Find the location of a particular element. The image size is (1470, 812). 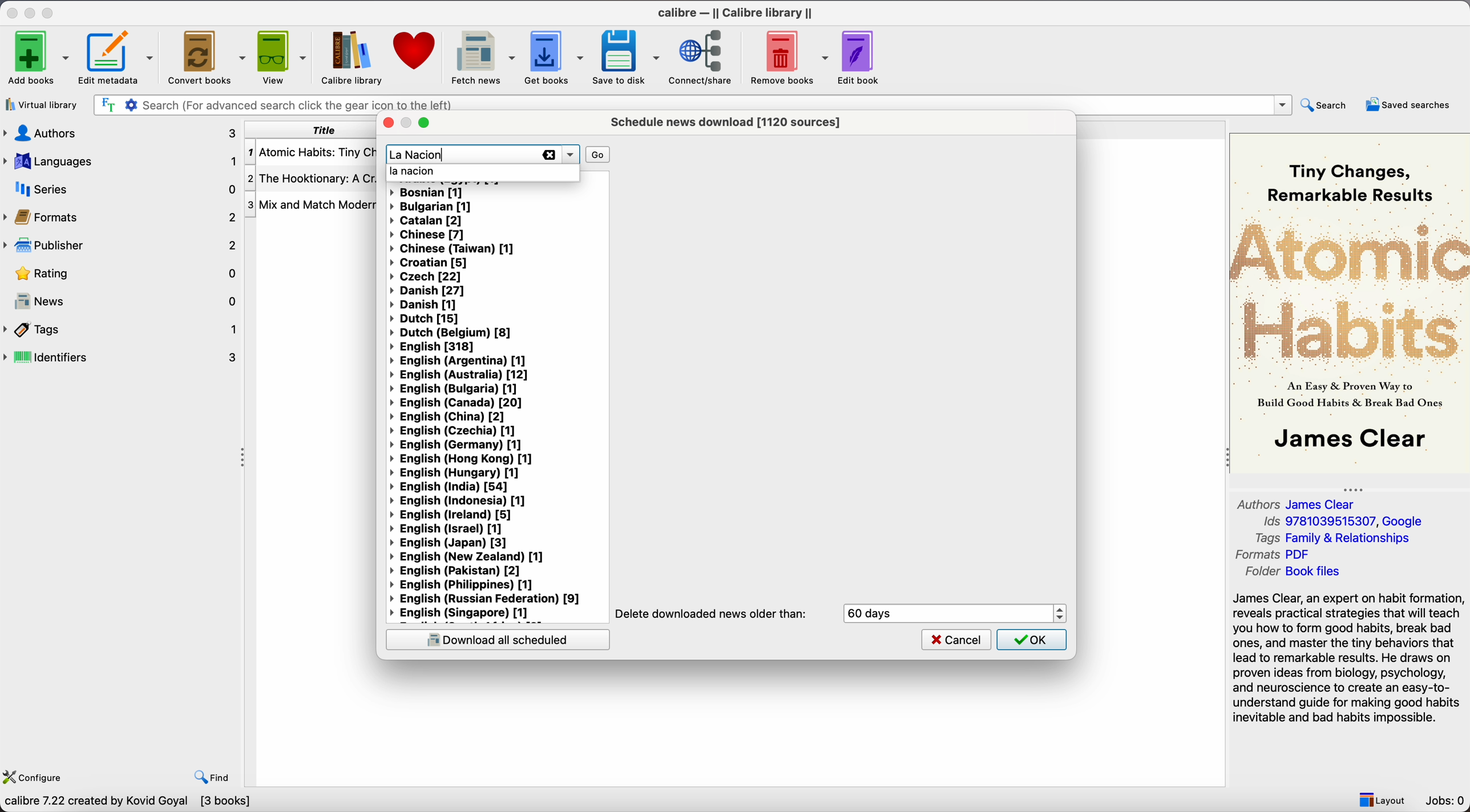

Calibre - || Calibre library || is located at coordinates (738, 12).